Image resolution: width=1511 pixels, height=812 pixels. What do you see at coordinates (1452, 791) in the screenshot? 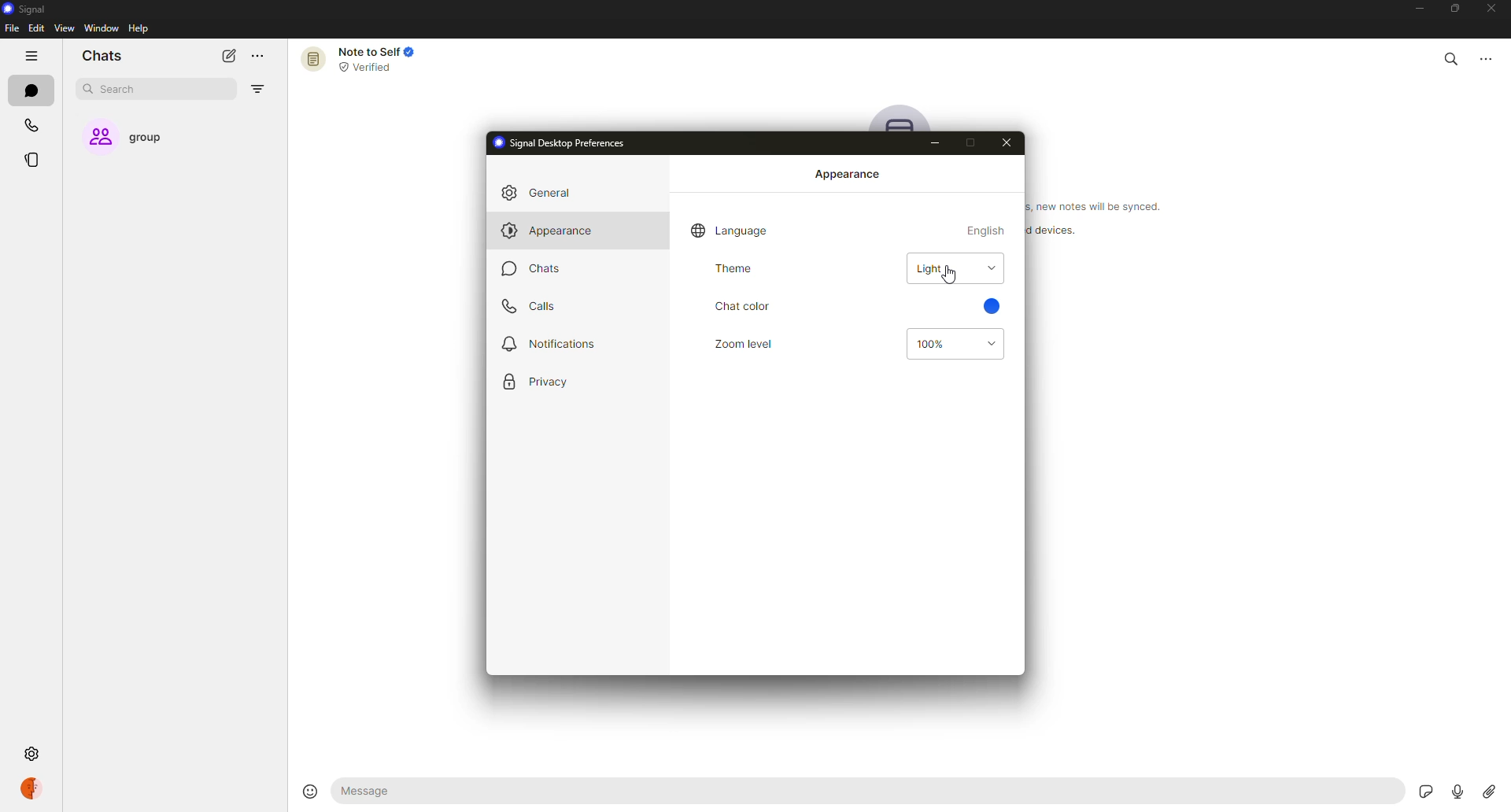
I see `record` at bounding box center [1452, 791].